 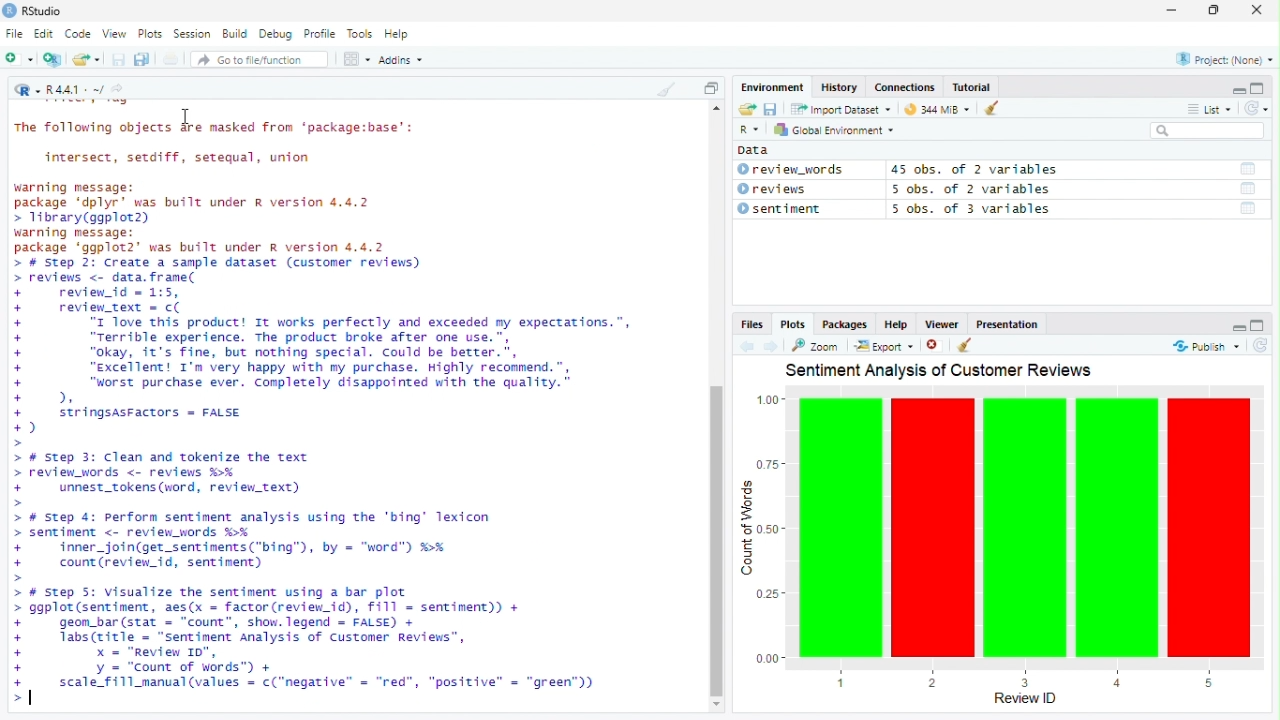 I want to click on Viewer, so click(x=941, y=325).